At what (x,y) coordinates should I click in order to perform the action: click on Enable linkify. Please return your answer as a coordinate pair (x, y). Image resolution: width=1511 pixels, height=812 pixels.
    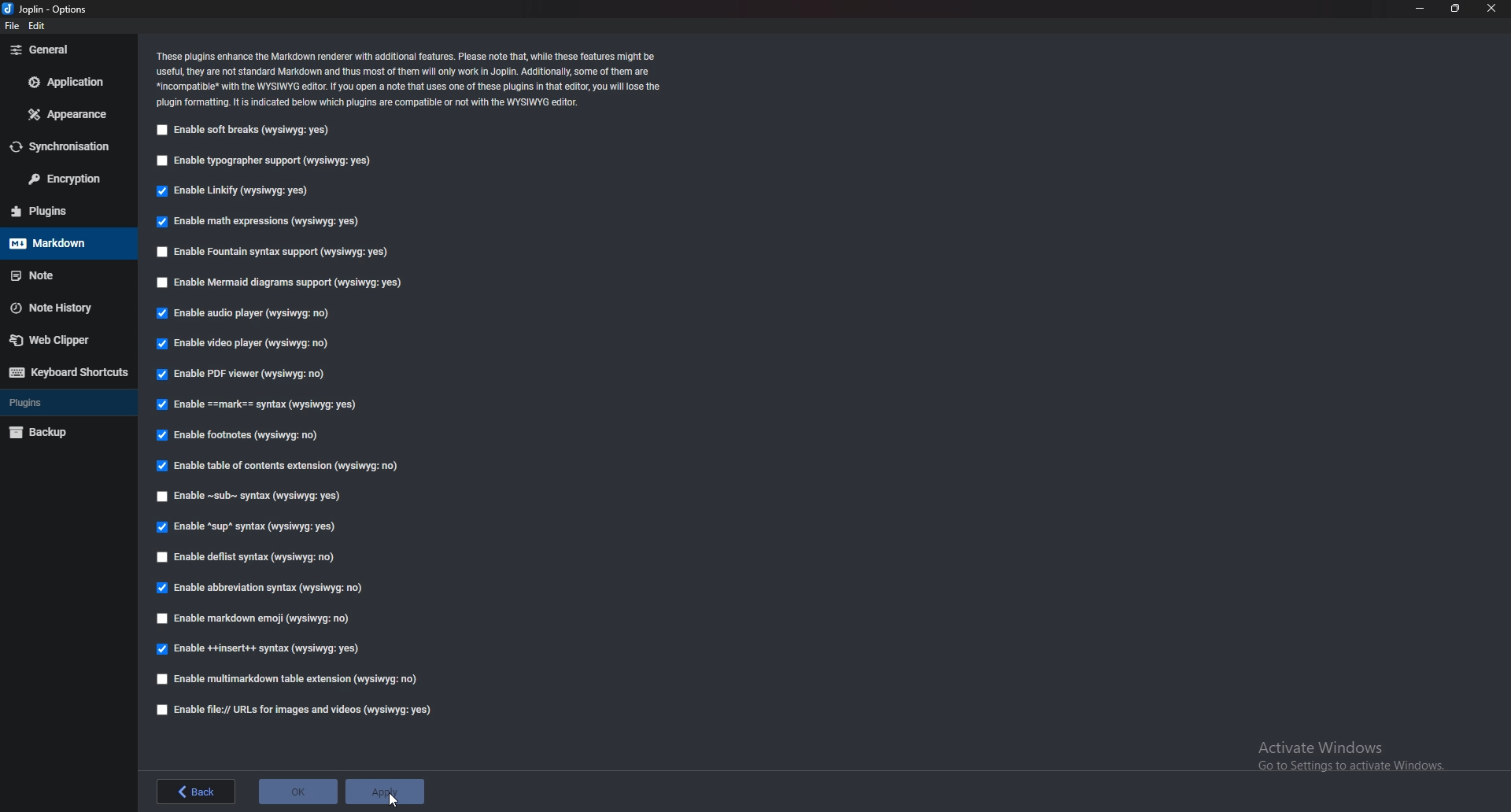
    Looking at the image, I should click on (239, 193).